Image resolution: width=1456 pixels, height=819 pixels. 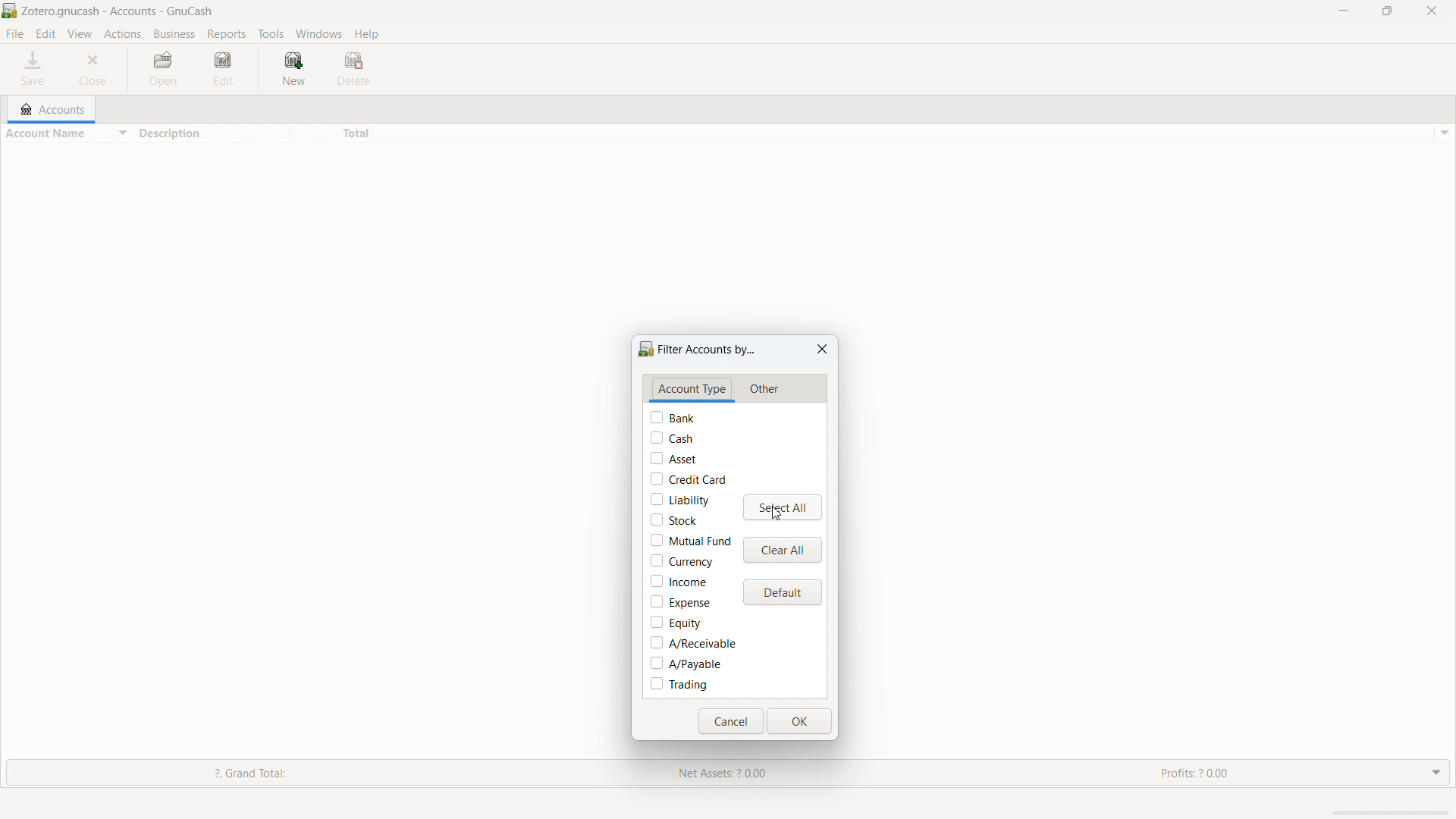 I want to click on close, so click(x=1432, y=11).